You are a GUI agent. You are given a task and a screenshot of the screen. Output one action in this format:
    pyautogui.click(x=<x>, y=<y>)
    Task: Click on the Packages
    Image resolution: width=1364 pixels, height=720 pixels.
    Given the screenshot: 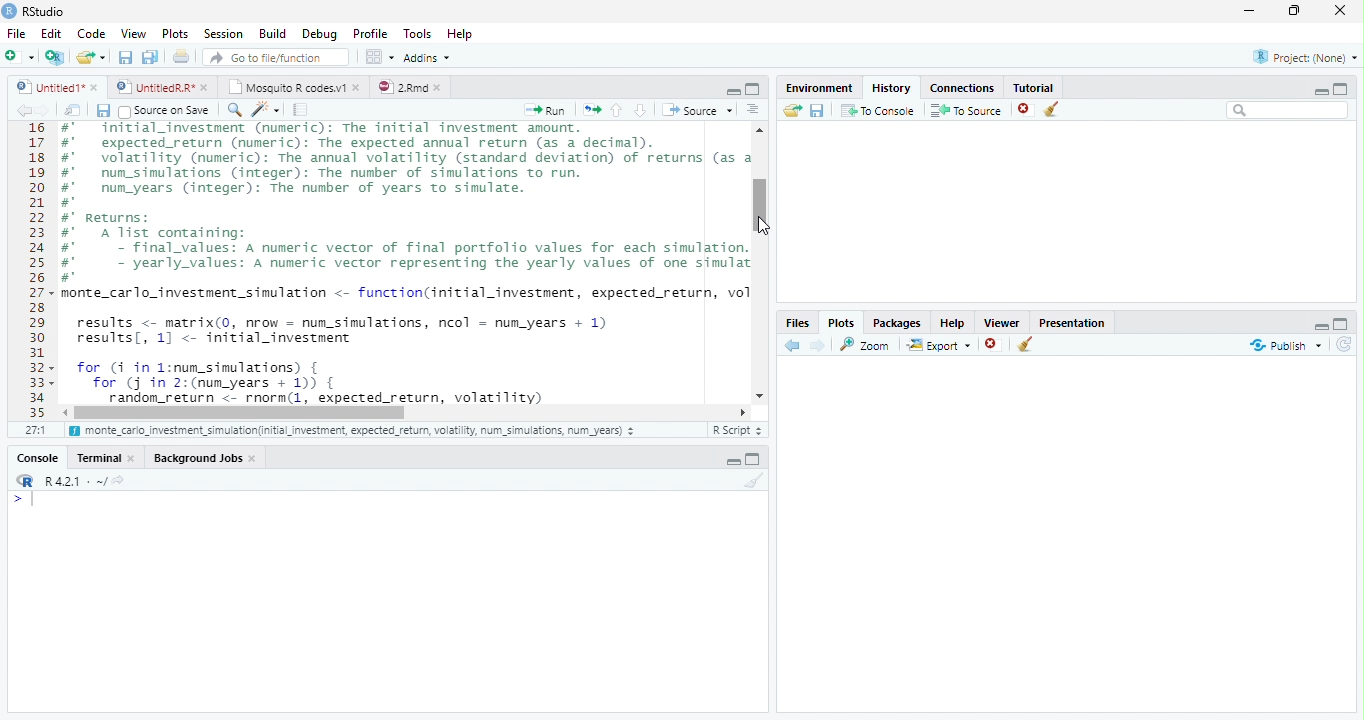 What is the action you would take?
    pyautogui.click(x=896, y=321)
    